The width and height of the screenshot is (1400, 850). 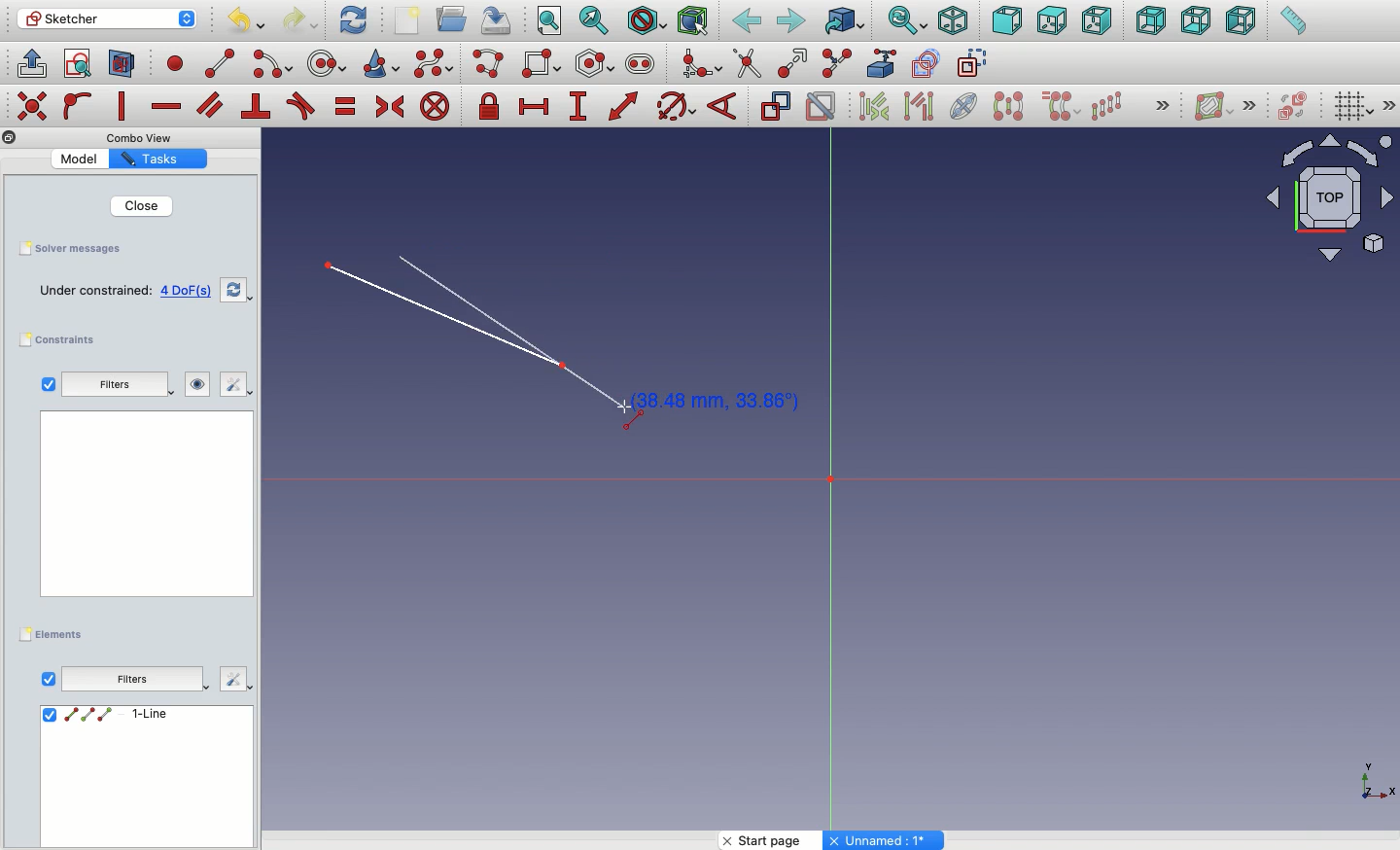 What do you see at coordinates (929, 64) in the screenshot?
I see `carbon copy` at bounding box center [929, 64].